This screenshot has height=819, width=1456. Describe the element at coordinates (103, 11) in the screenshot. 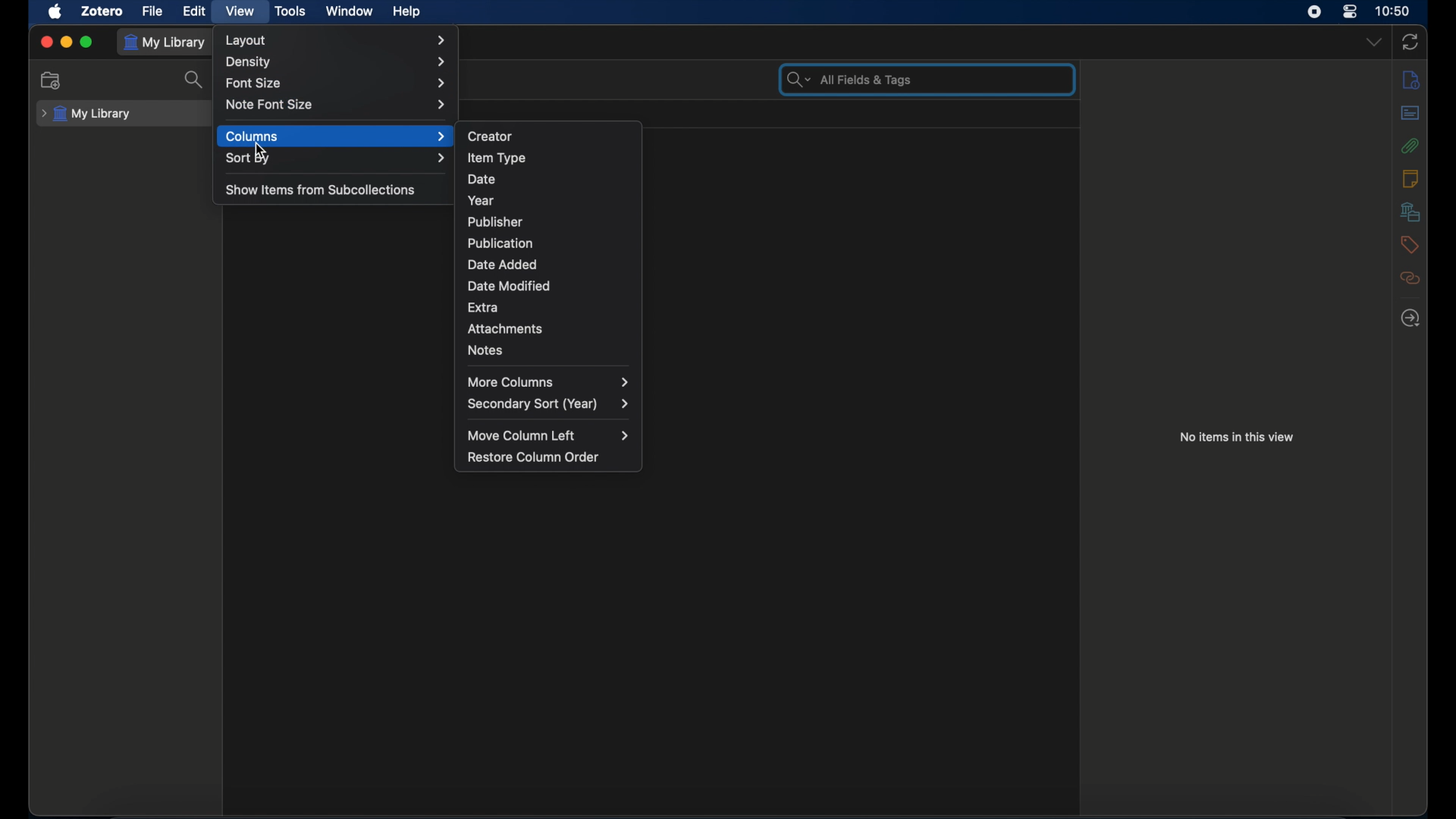

I see `zotero` at that location.